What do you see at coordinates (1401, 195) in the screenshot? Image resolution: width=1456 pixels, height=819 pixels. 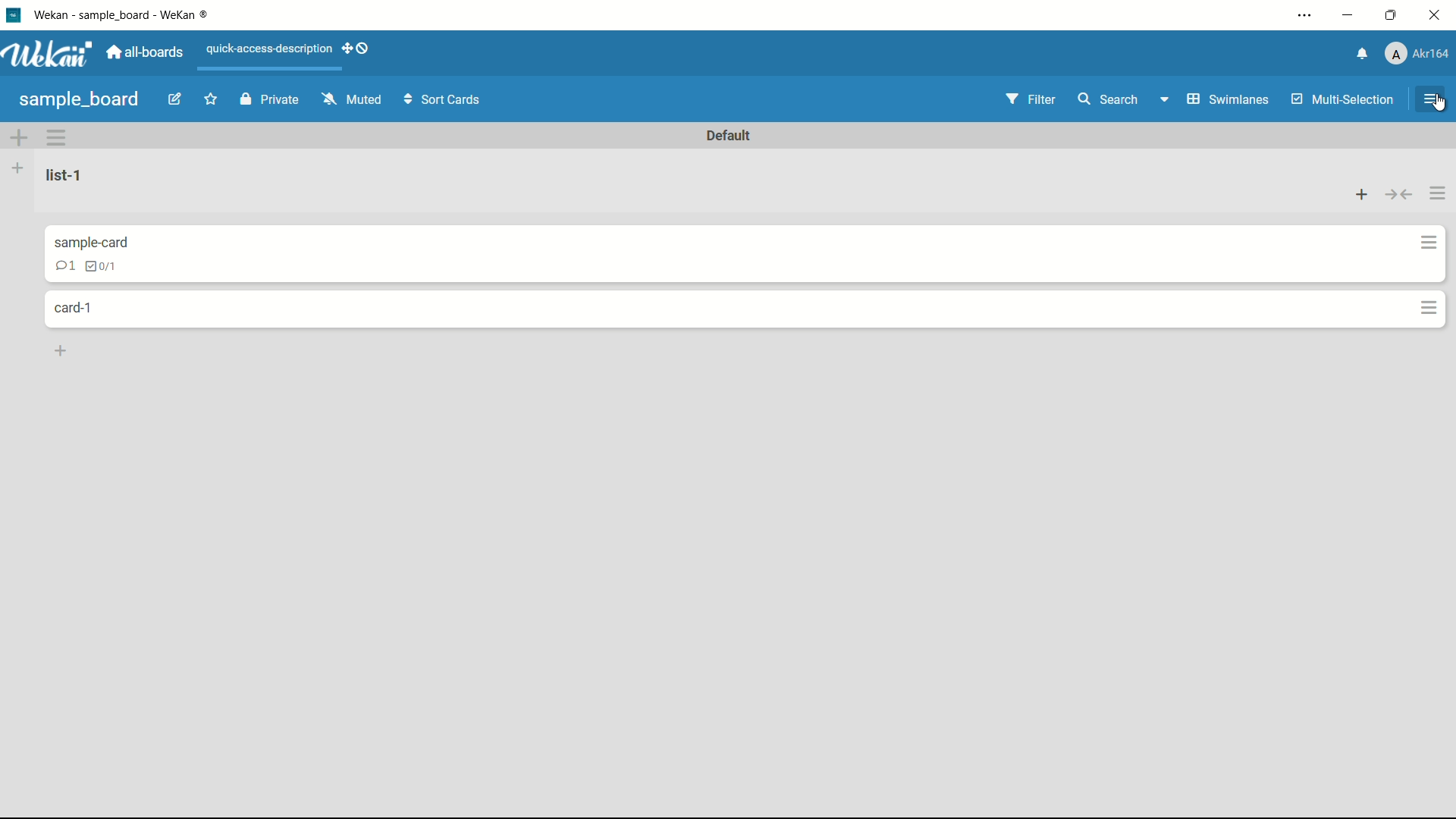 I see `collapse` at bounding box center [1401, 195].